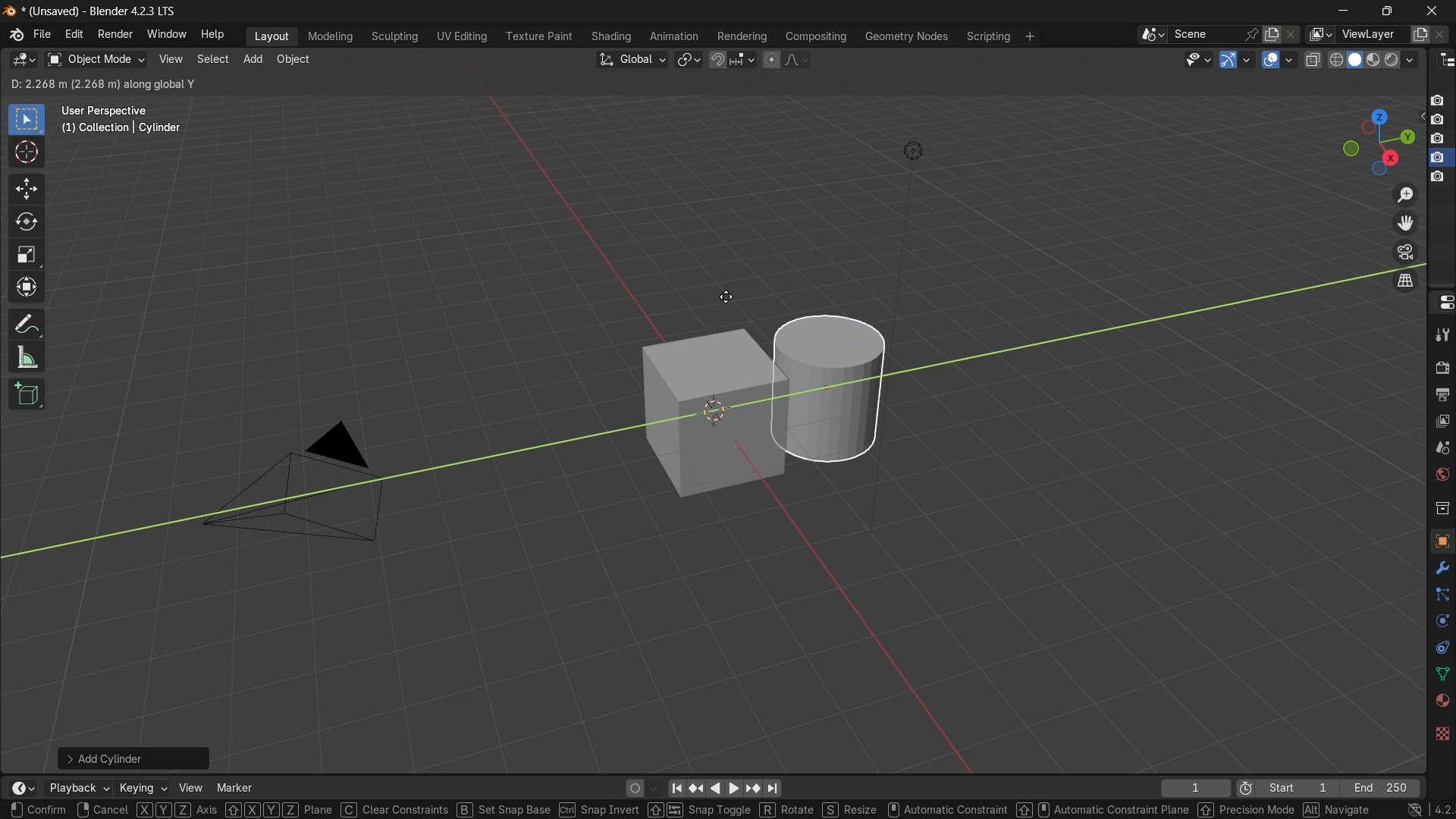 The image size is (1456, 819). I want to click on cursor, so click(27, 153).